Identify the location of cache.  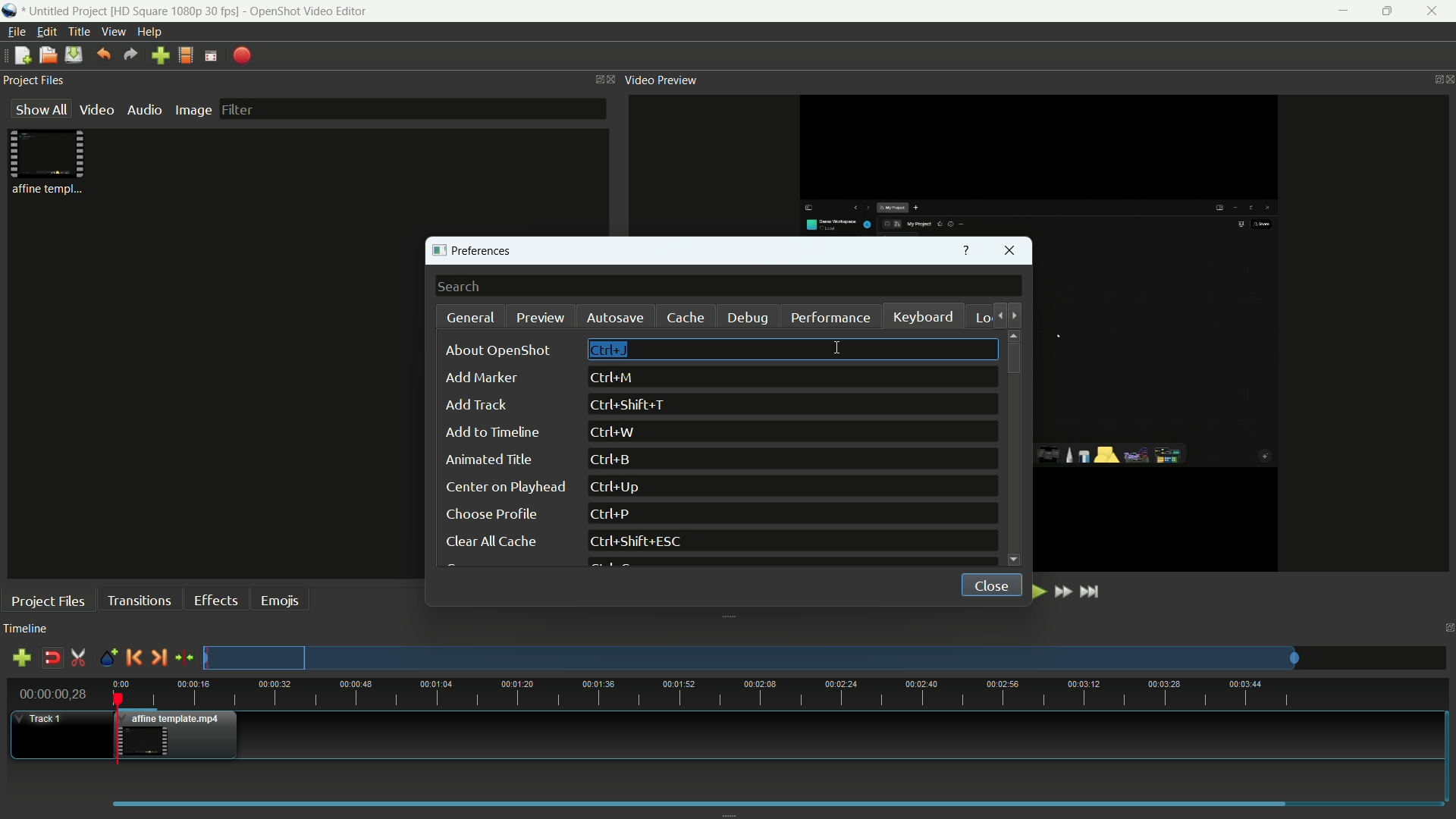
(686, 318).